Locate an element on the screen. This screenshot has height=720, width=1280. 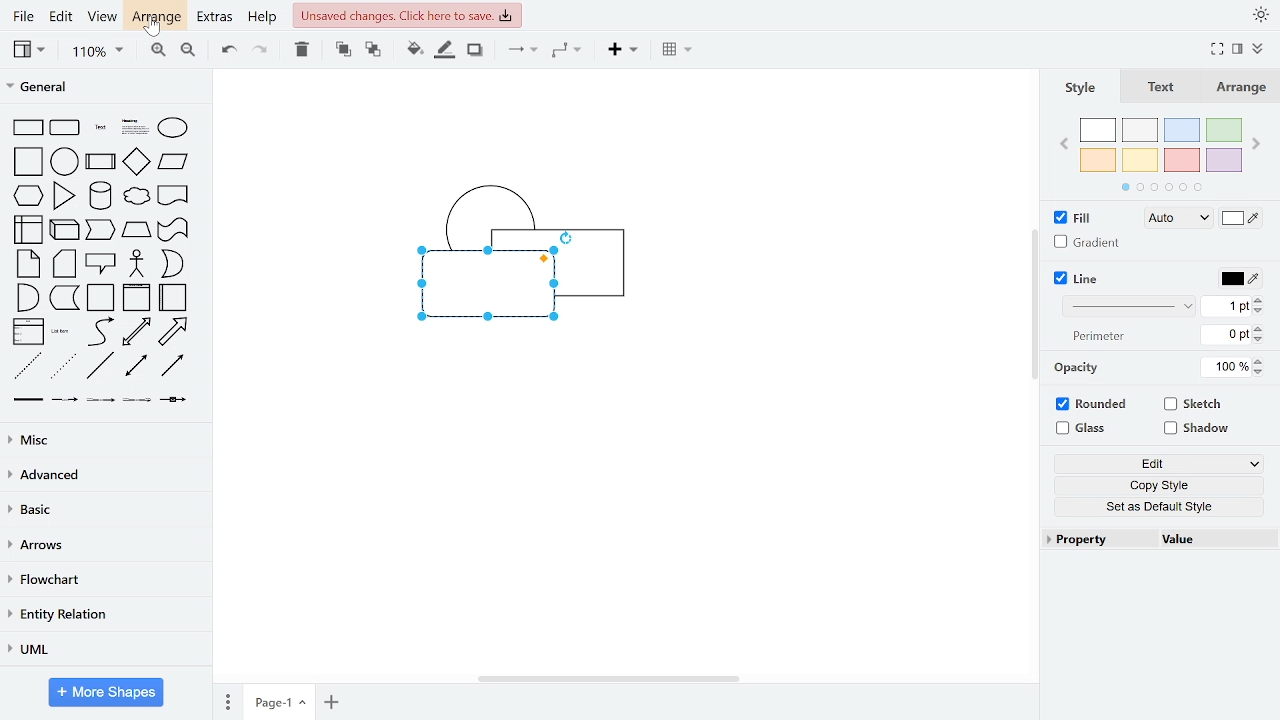
entity relation is located at coordinates (105, 613).